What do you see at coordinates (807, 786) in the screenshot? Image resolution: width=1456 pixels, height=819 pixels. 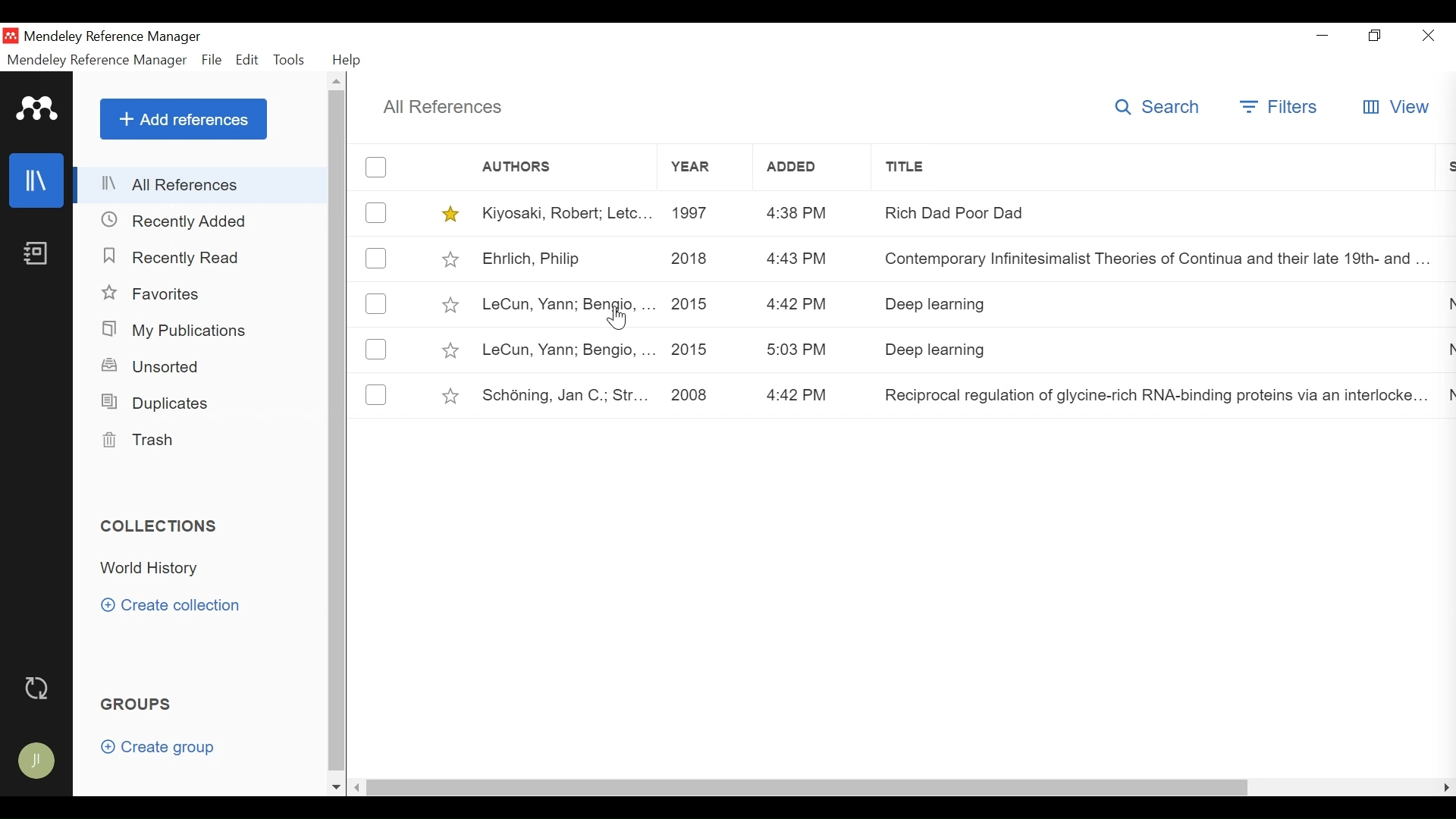 I see `Horizontal Scroll bar` at bounding box center [807, 786].